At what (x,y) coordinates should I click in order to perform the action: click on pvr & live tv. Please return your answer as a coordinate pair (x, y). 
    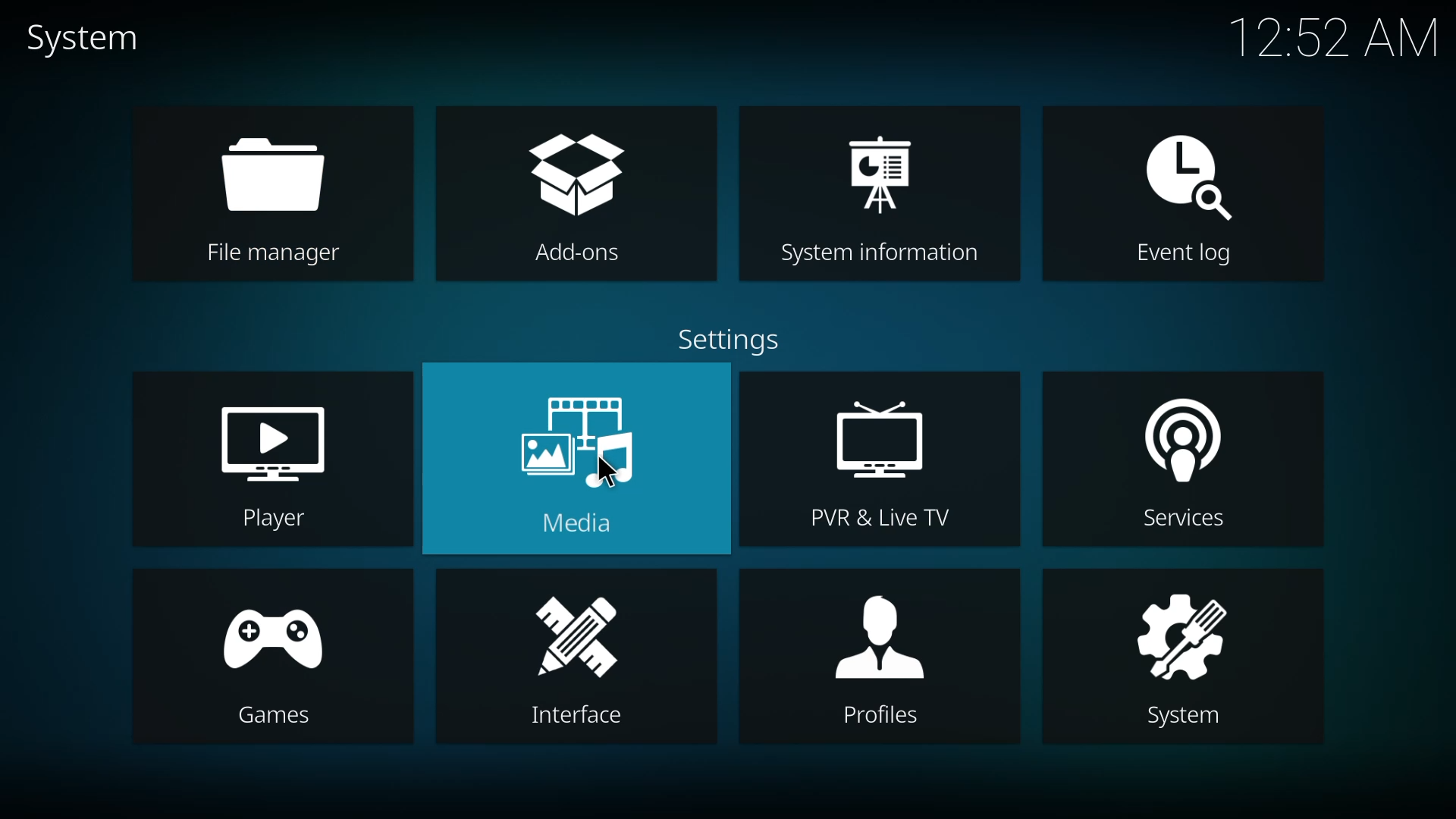
    Looking at the image, I should click on (880, 441).